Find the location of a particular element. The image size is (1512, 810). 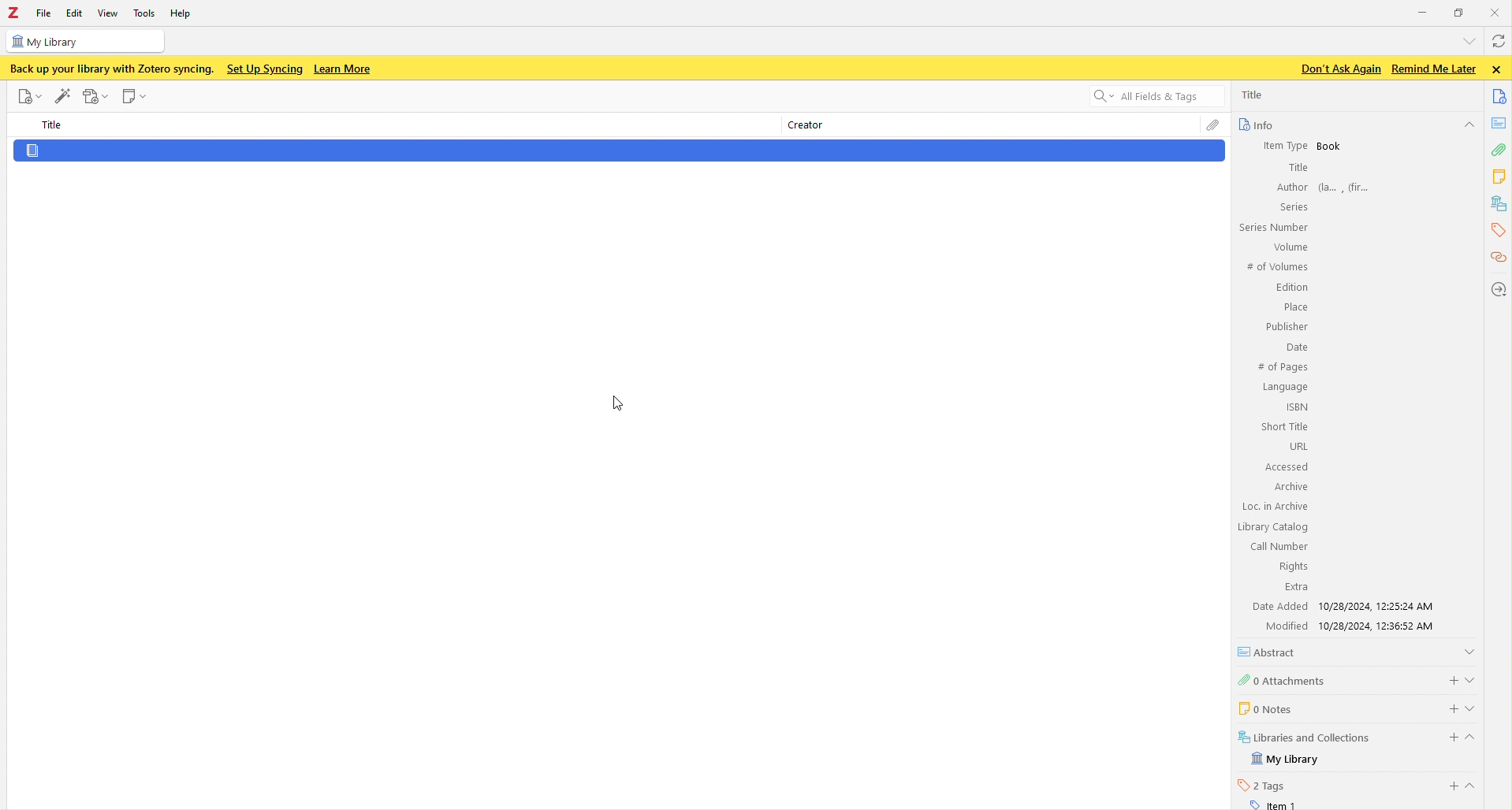

documents is located at coordinates (1500, 95).